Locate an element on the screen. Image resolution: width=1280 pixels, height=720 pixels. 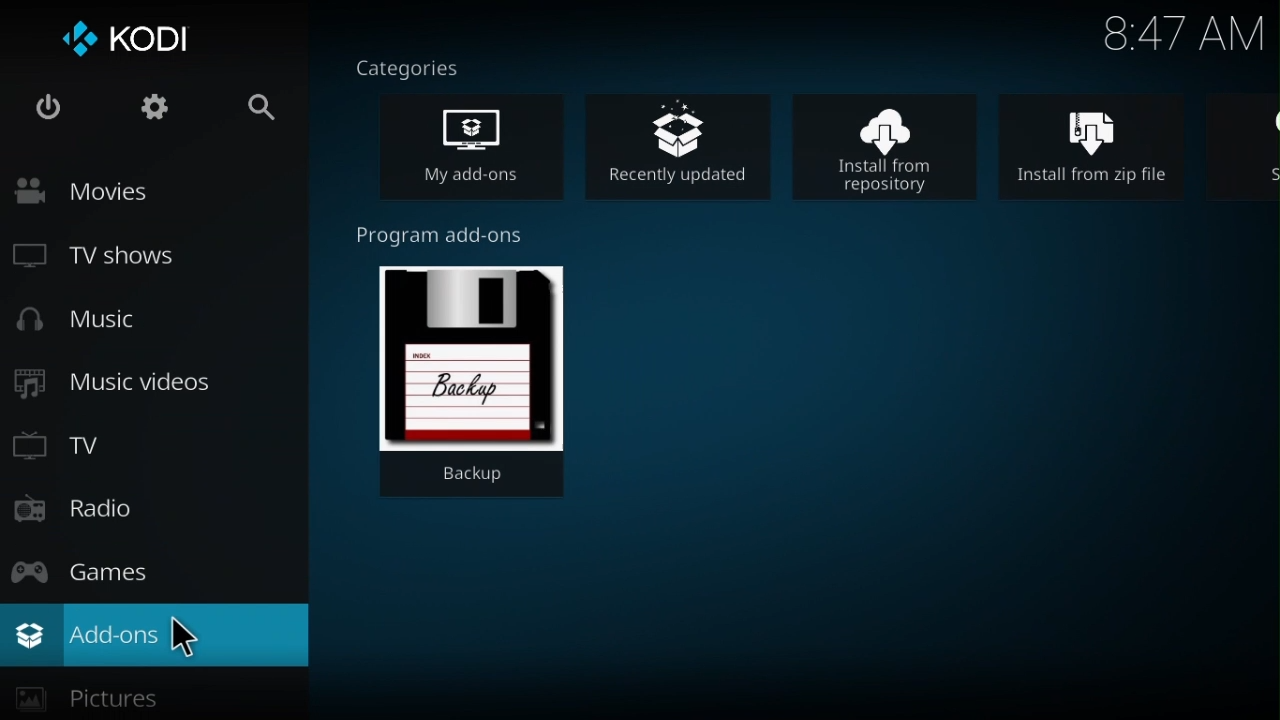
TV is located at coordinates (71, 442).